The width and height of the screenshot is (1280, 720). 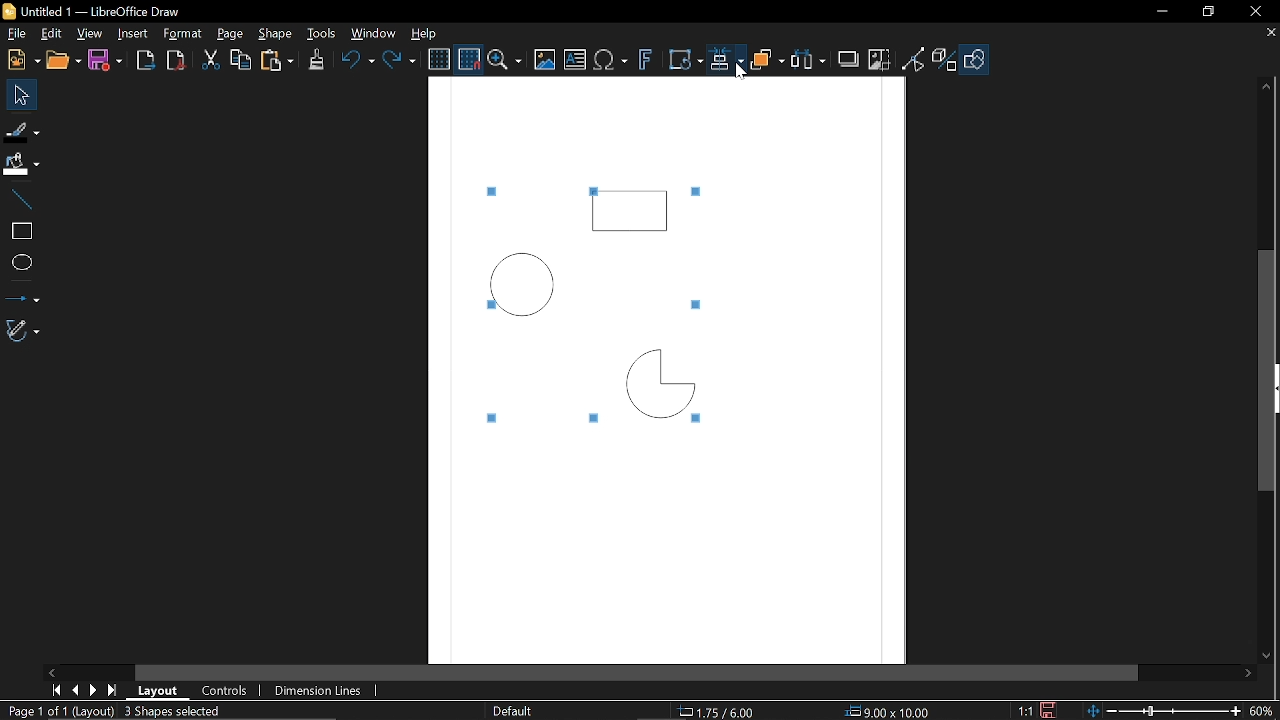 What do you see at coordinates (58, 711) in the screenshot?
I see `Page 1 of 1 (Layout)` at bounding box center [58, 711].